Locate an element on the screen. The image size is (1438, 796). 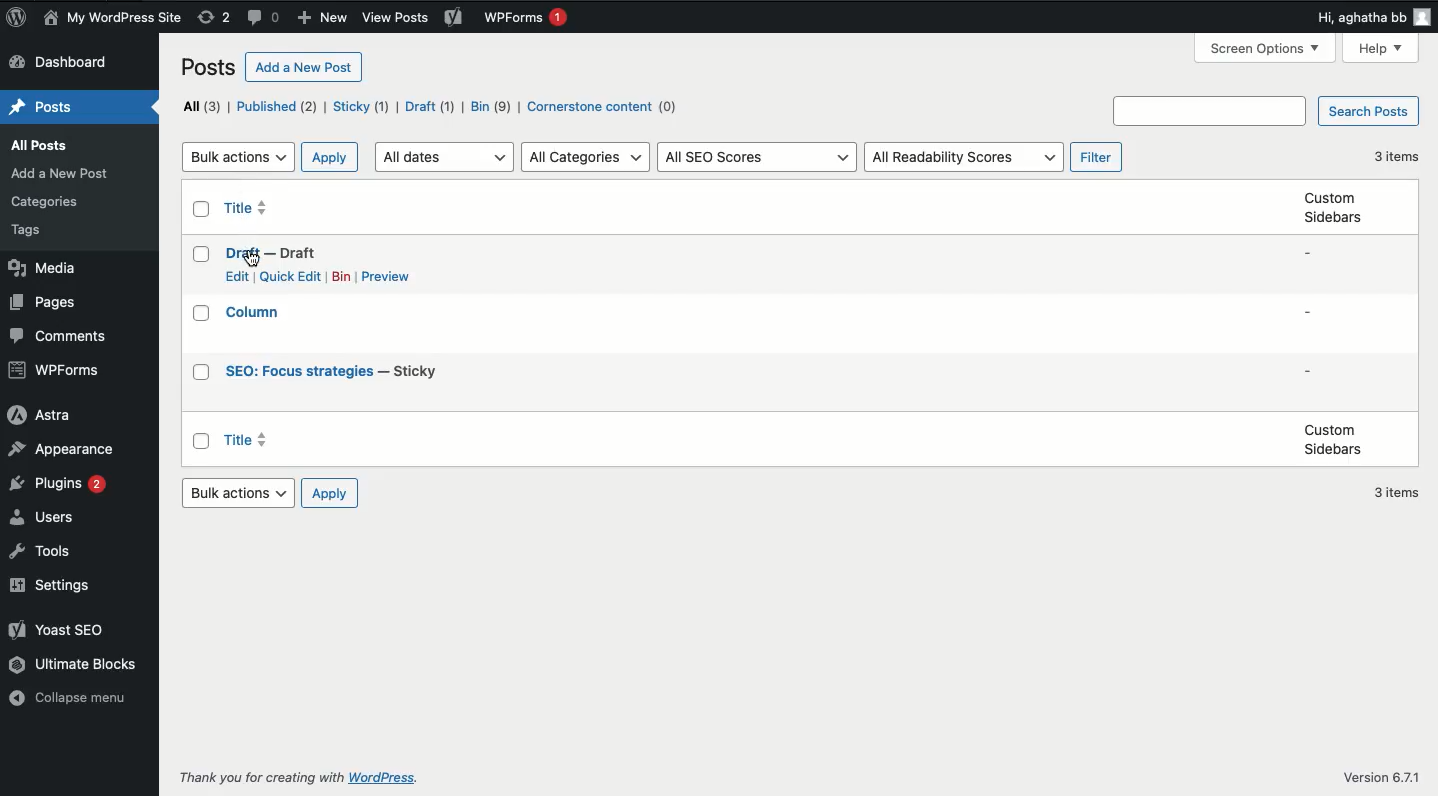
WPForms is located at coordinates (57, 370).